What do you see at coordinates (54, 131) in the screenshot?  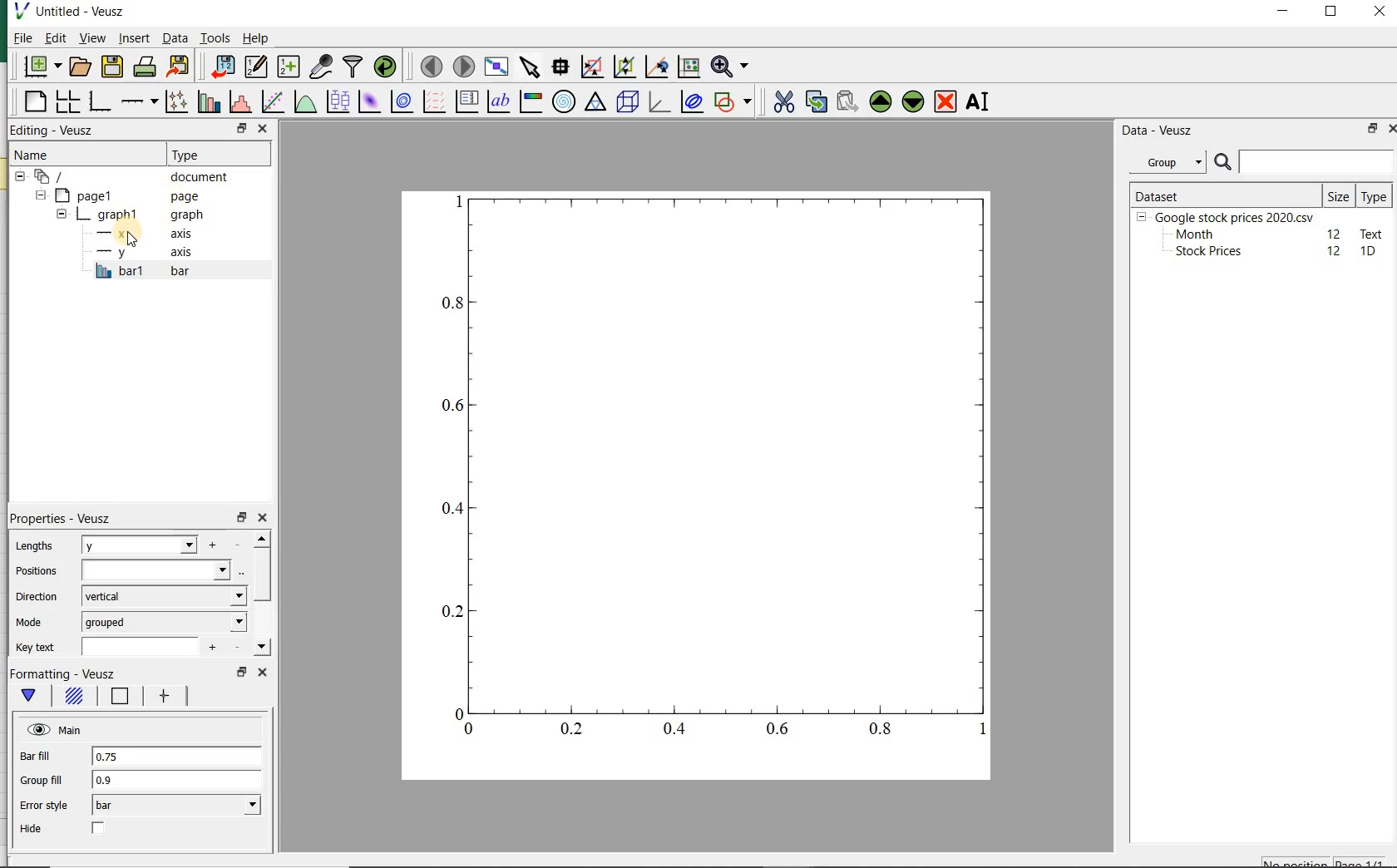 I see `Editing - Veusz` at bounding box center [54, 131].